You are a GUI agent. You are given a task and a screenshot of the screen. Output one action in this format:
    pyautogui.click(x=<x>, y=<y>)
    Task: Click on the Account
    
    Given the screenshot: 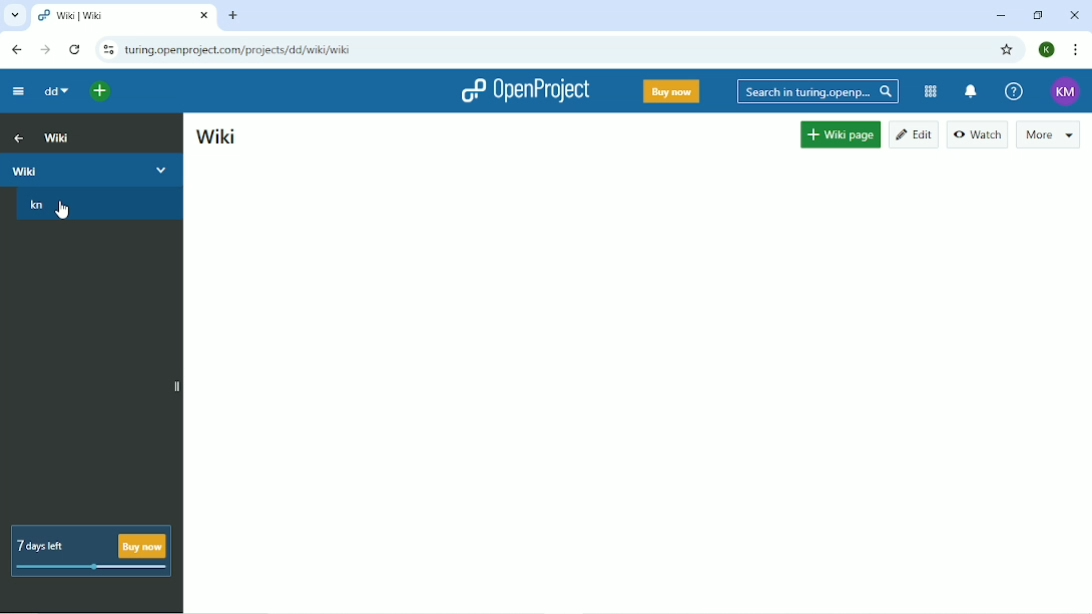 What is the action you would take?
    pyautogui.click(x=1065, y=91)
    